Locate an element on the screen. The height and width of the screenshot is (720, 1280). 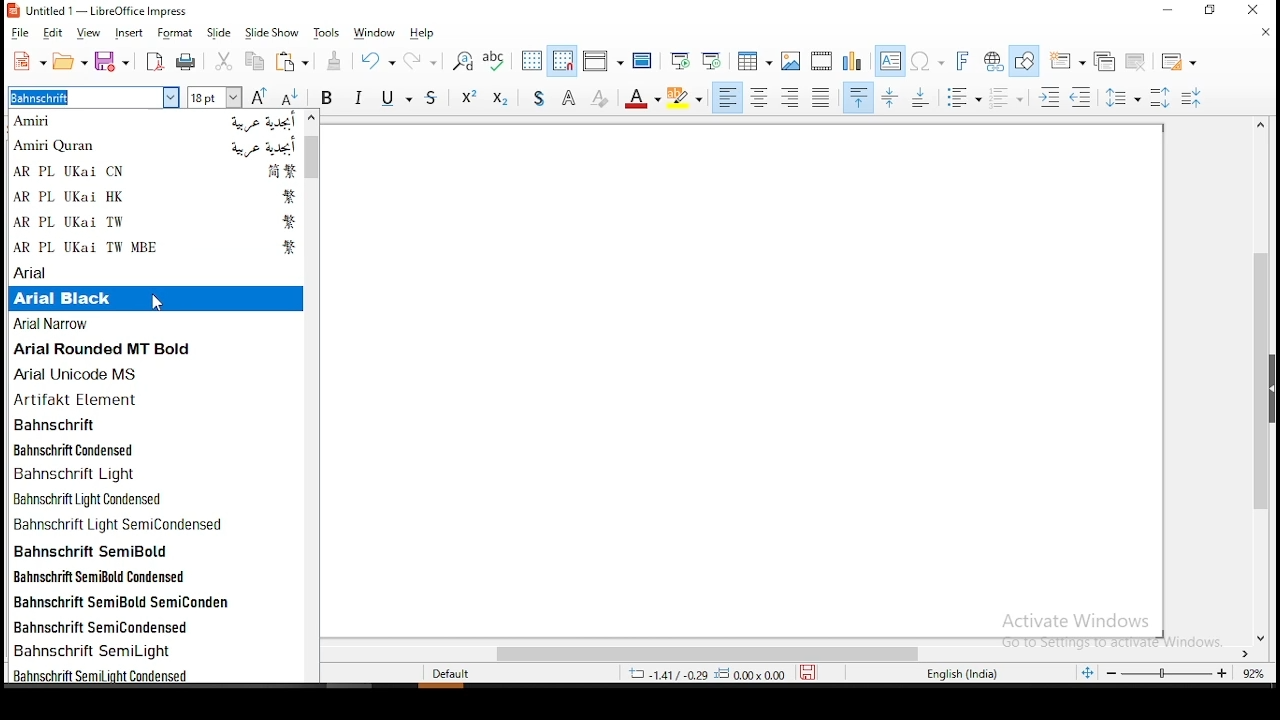
zoom slider is located at coordinates (1169, 674).